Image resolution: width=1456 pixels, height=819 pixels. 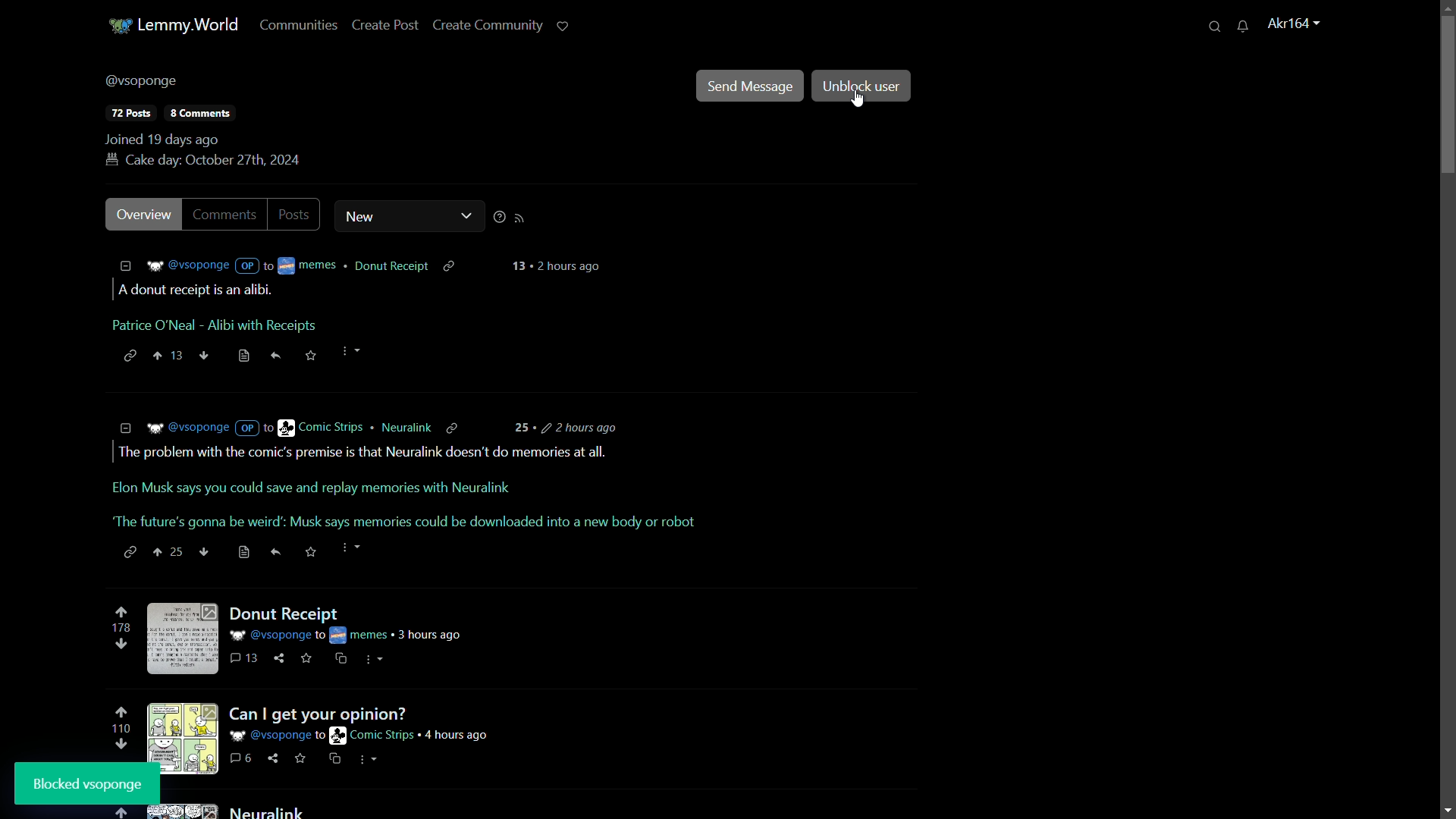 What do you see at coordinates (121, 714) in the screenshot?
I see `upvote` at bounding box center [121, 714].